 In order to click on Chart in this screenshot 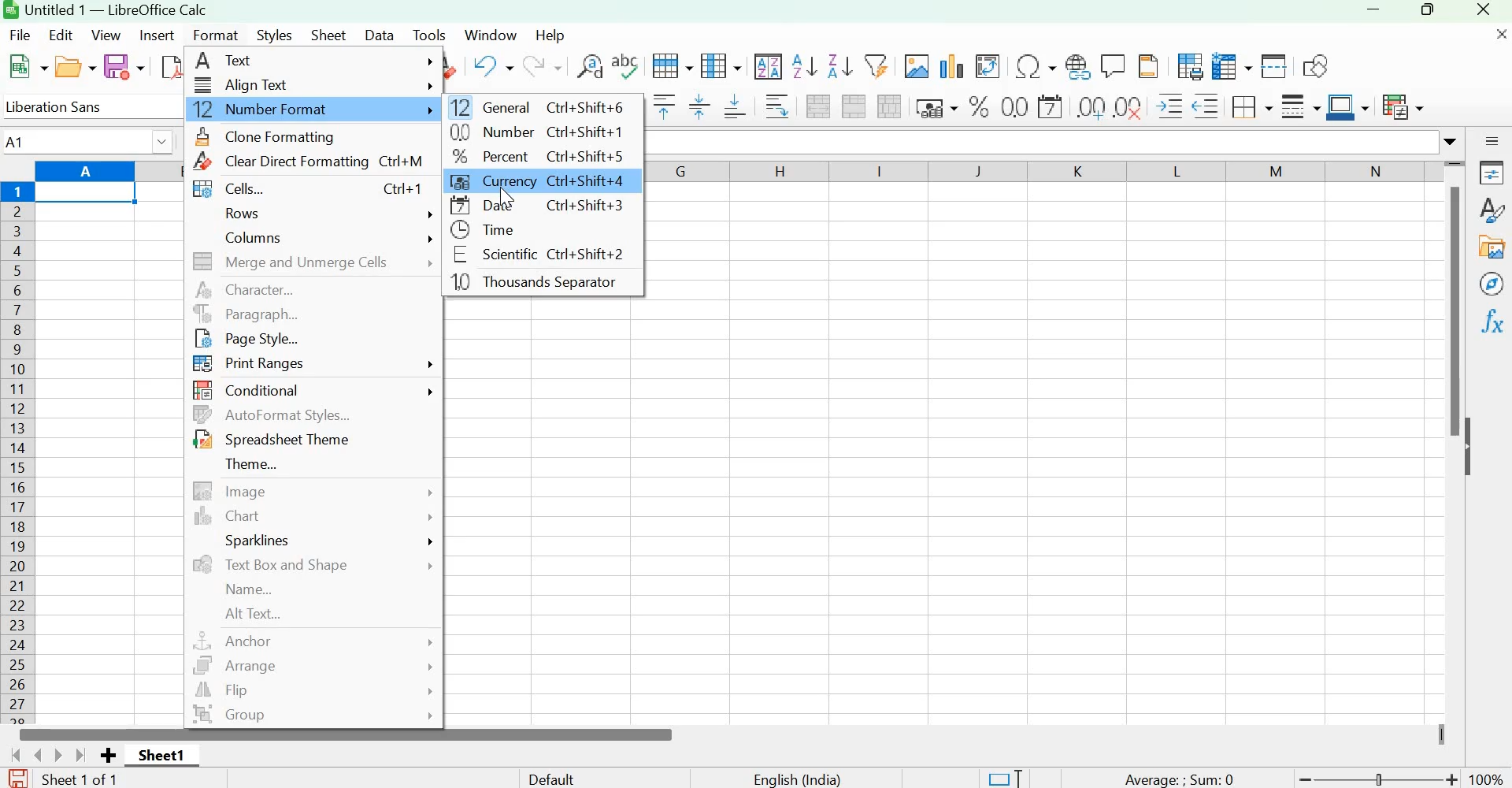, I will do `click(314, 517)`.